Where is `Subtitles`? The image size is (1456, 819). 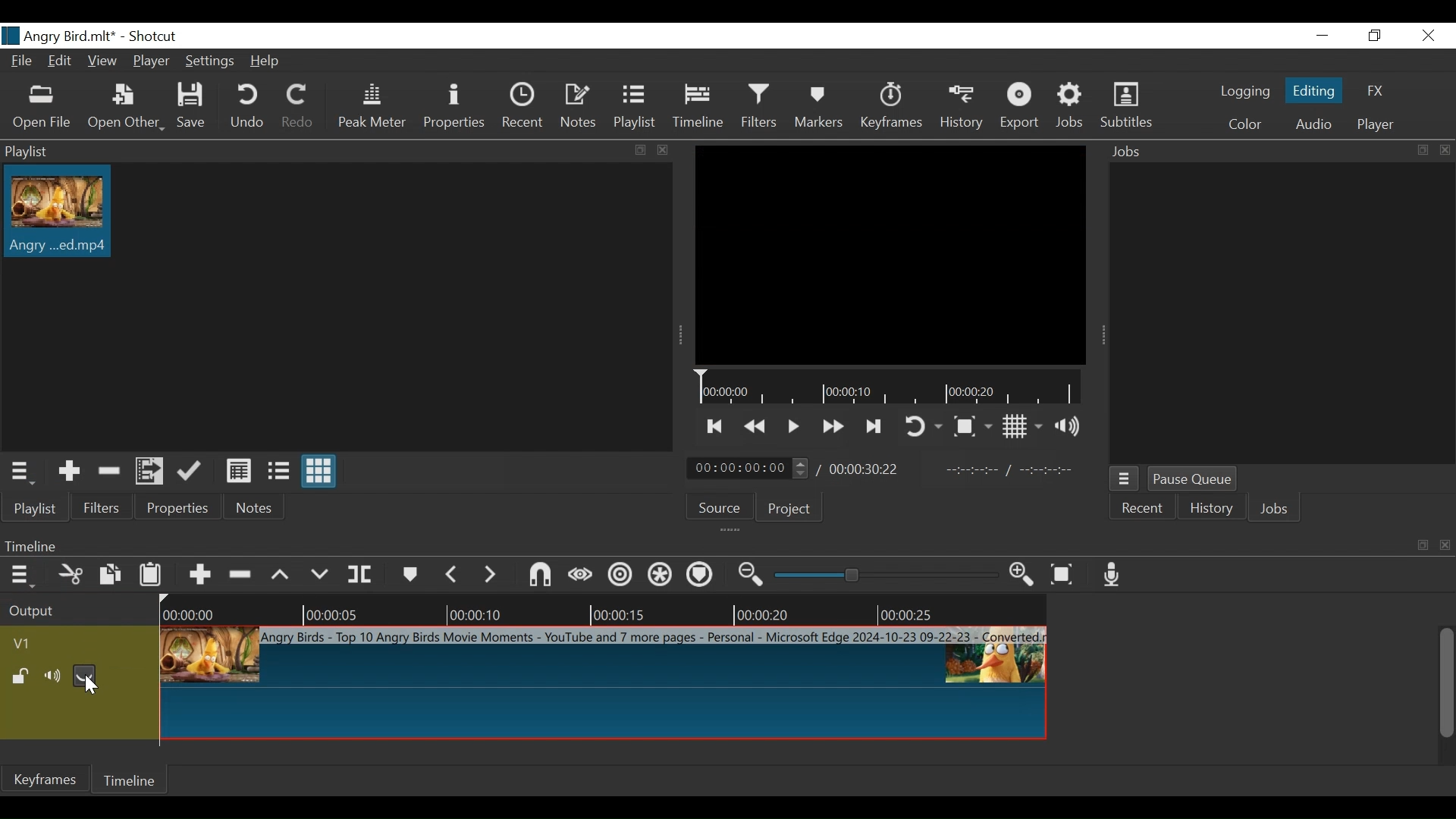 Subtitles is located at coordinates (1126, 105).